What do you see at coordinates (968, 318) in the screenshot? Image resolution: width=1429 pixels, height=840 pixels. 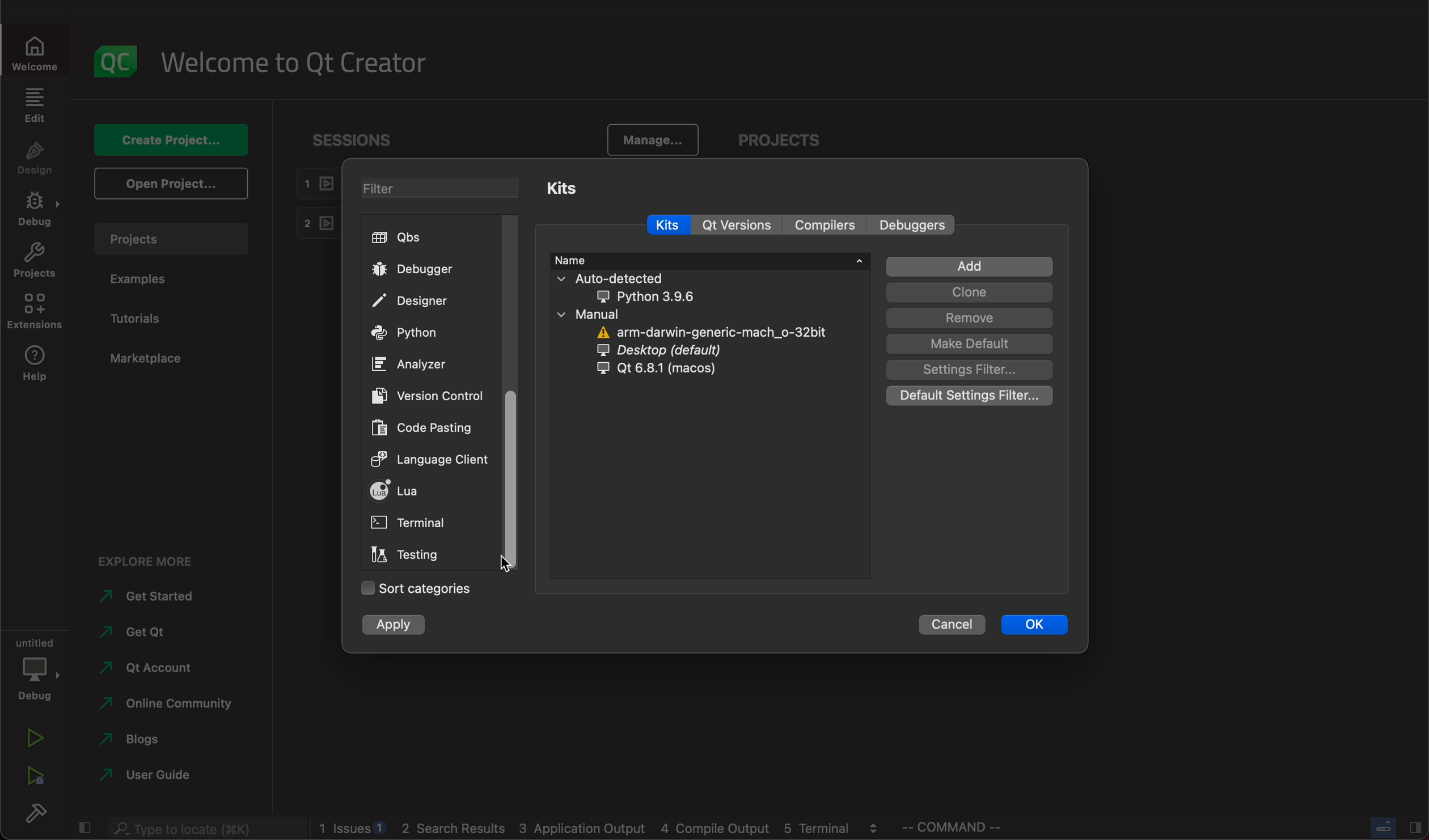 I see `remove` at bounding box center [968, 318].